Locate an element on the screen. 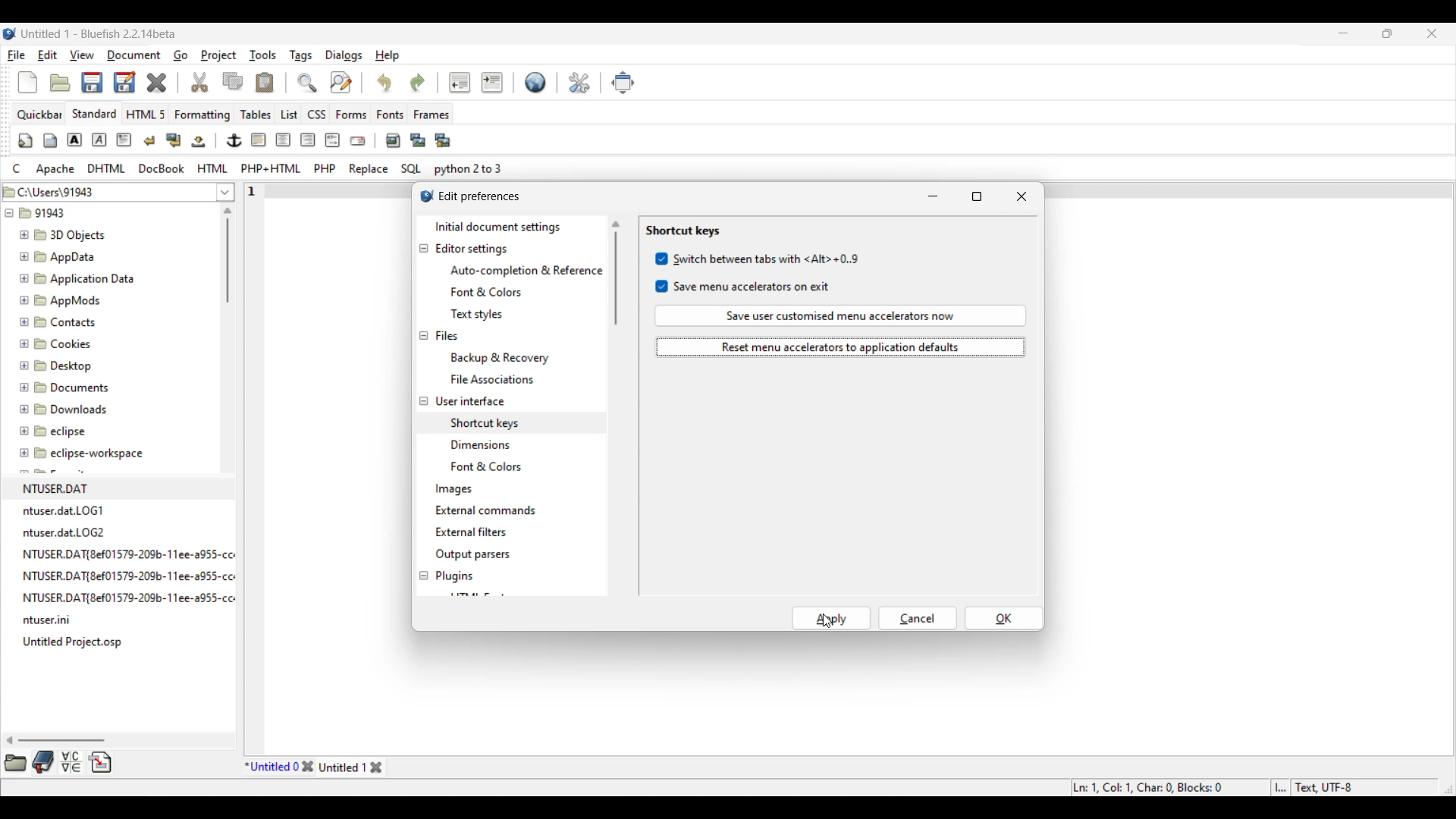 The height and width of the screenshot is (819, 1456). Files settings is located at coordinates (447, 336).